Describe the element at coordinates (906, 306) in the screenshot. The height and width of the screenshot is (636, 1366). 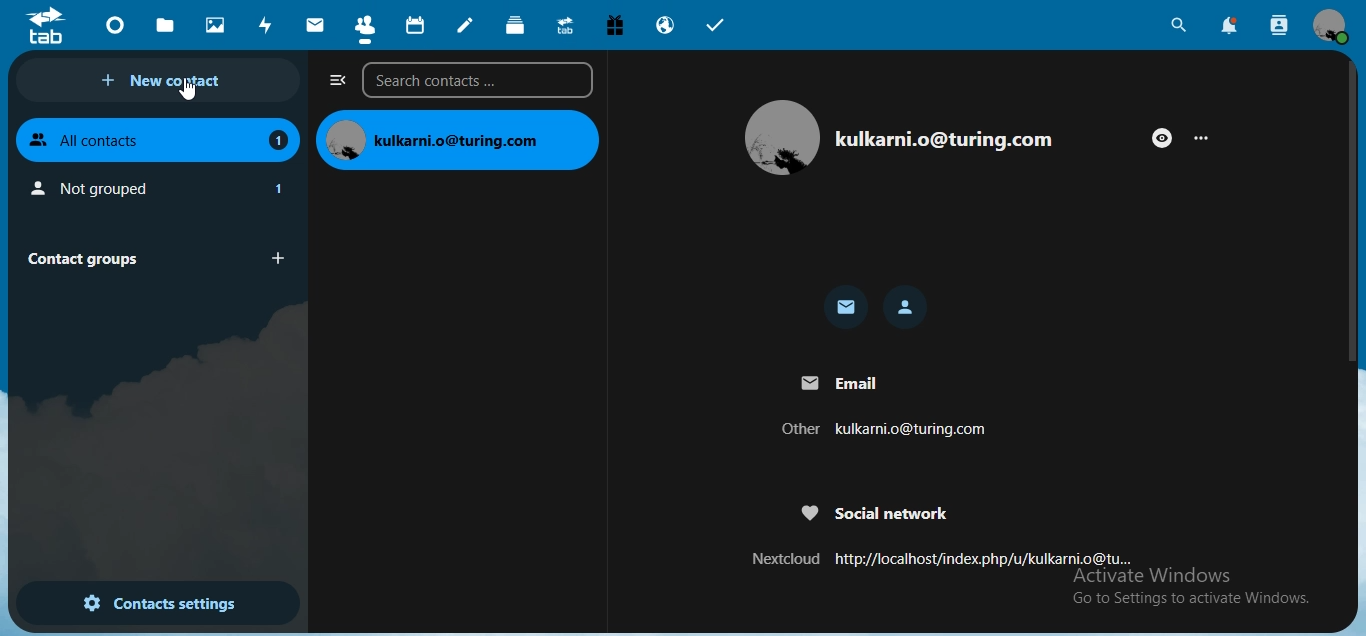
I see `` at that location.